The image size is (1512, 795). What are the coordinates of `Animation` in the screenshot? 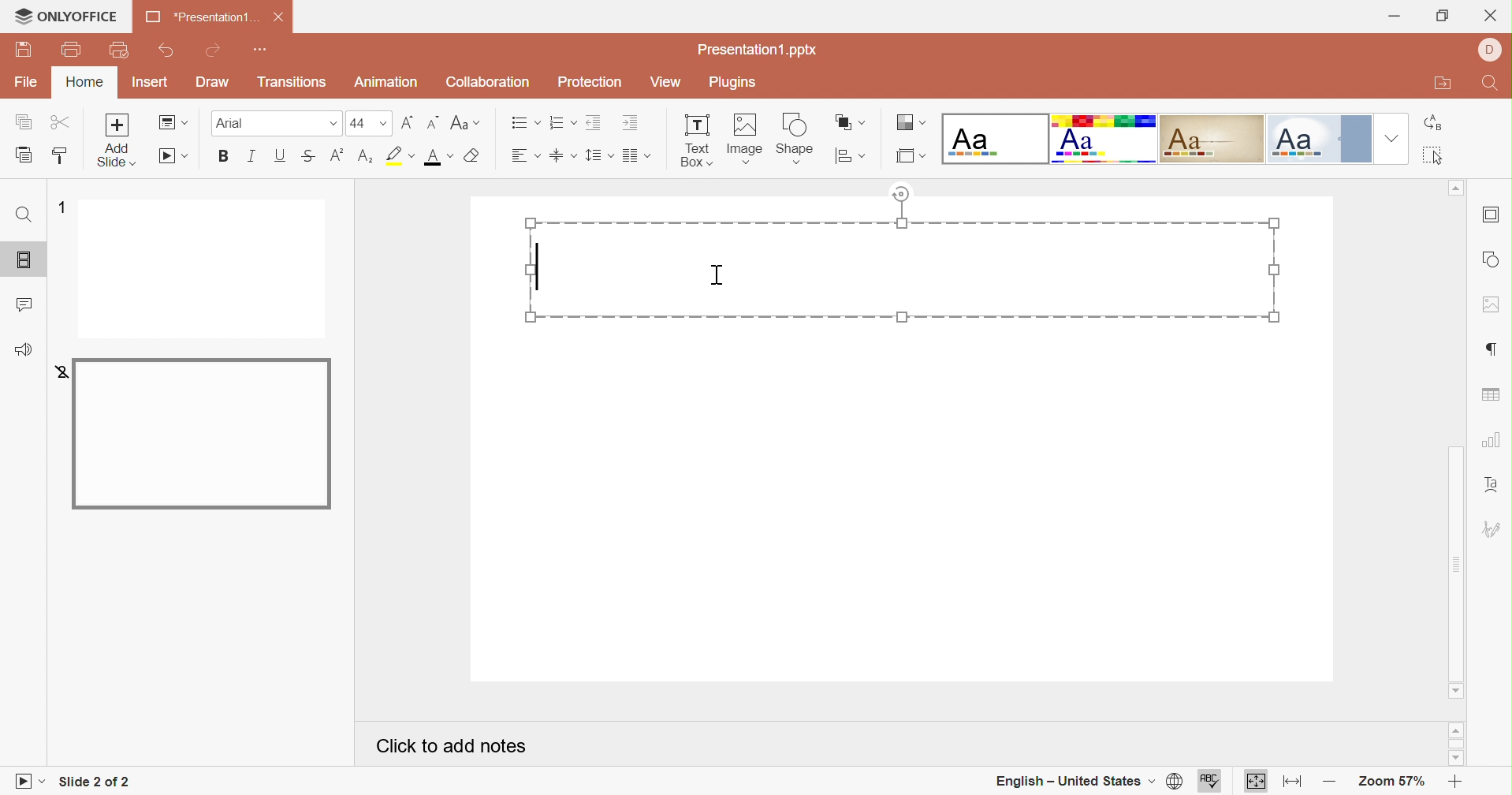 It's located at (389, 82).